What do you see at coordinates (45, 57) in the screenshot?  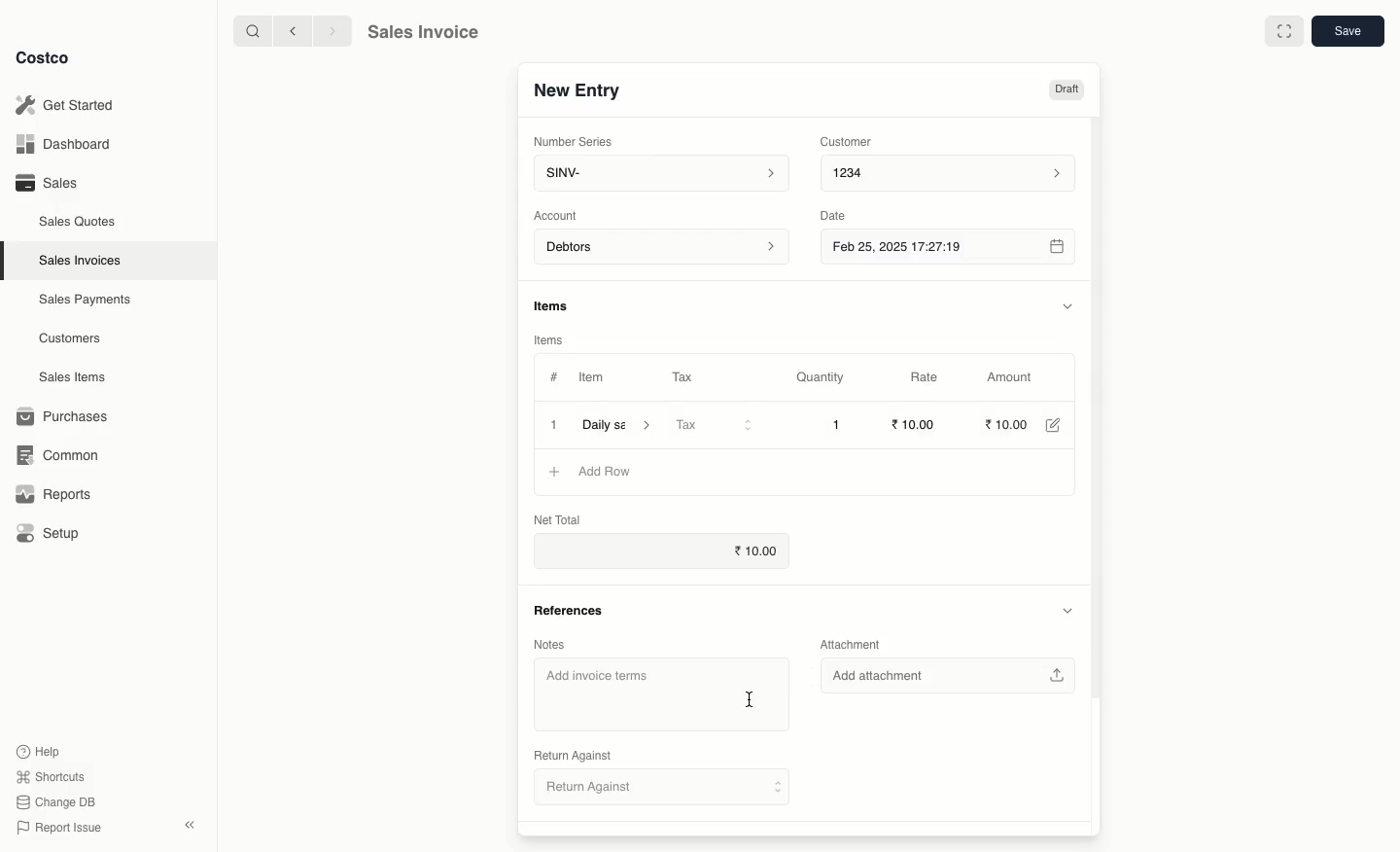 I see `Costco` at bounding box center [45, 57].